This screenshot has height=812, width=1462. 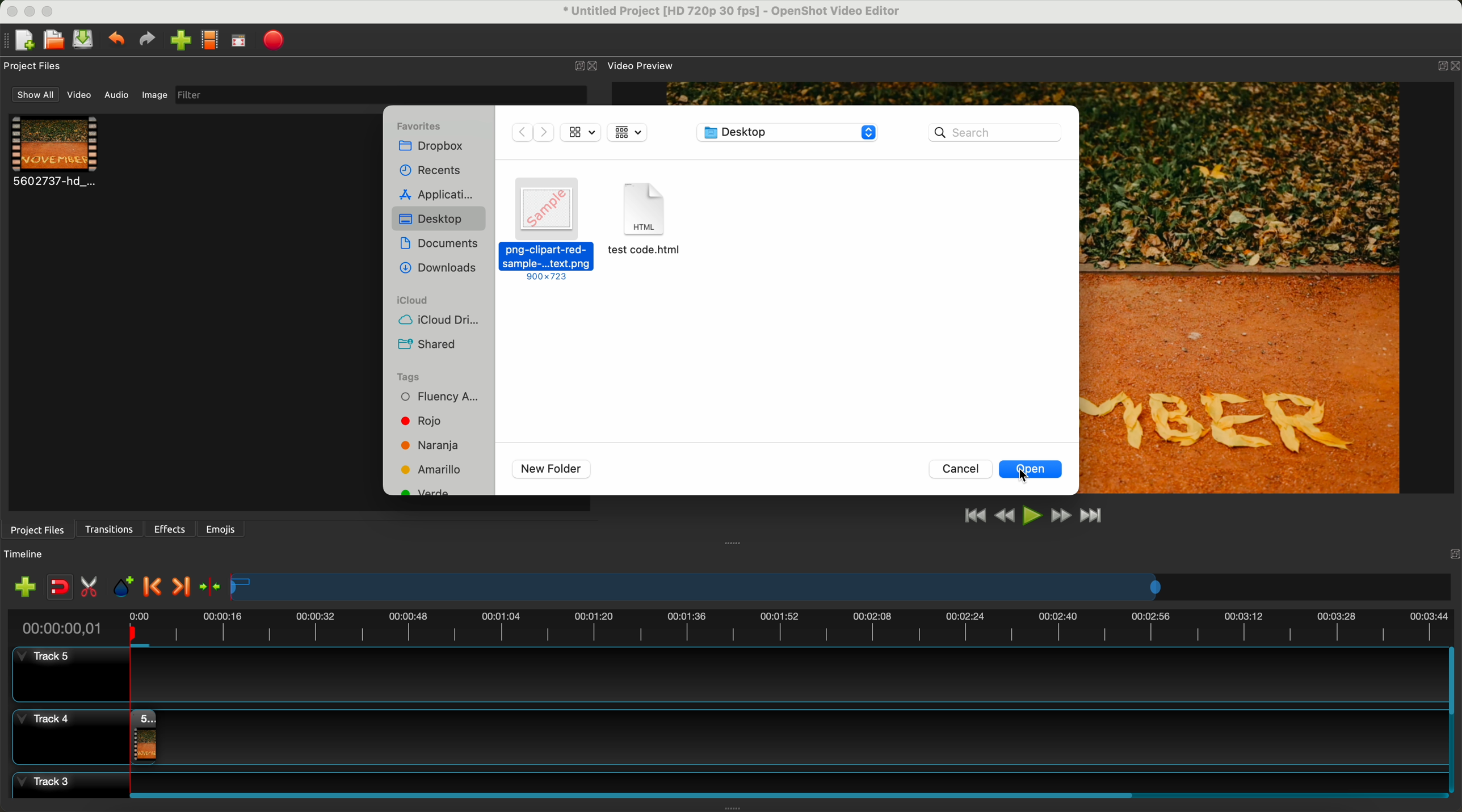 What do you see at coordinates (1034, 469) in the screenshot?
I see `disable open button` at bounding box center [1034, 469].